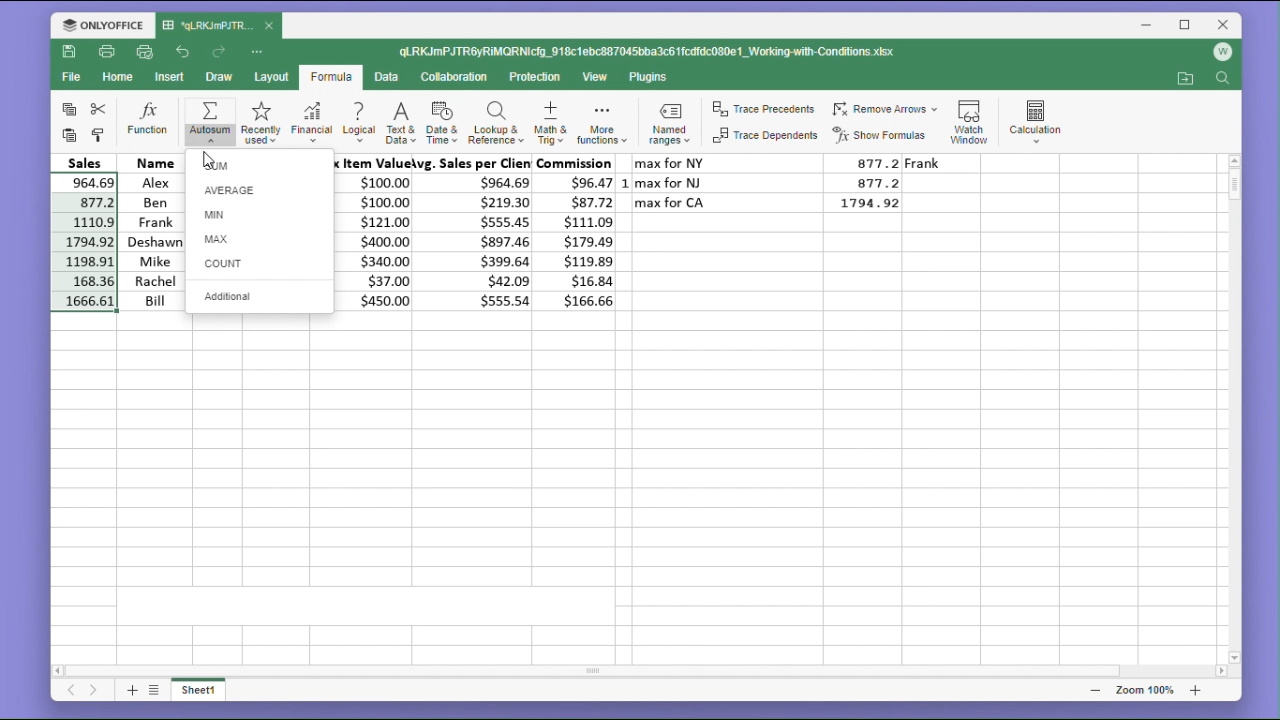 This screenshot has height=720, width=1280. I want to click on lookup and reference, so click(495, 125).